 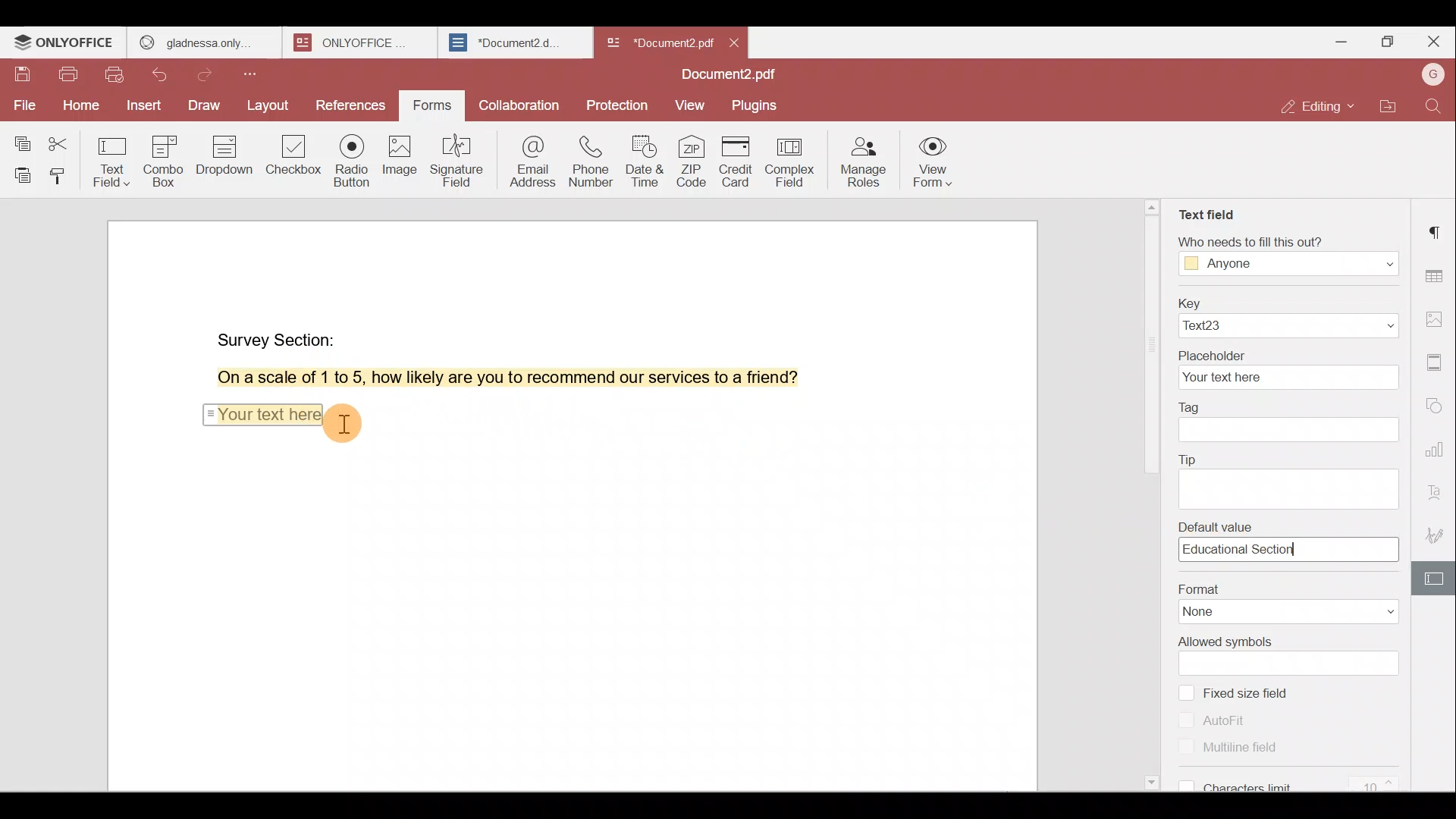 What do you see at coordinates (206, 107) in the screenshot?
I see `Draw` at bounding box center [206, 107].